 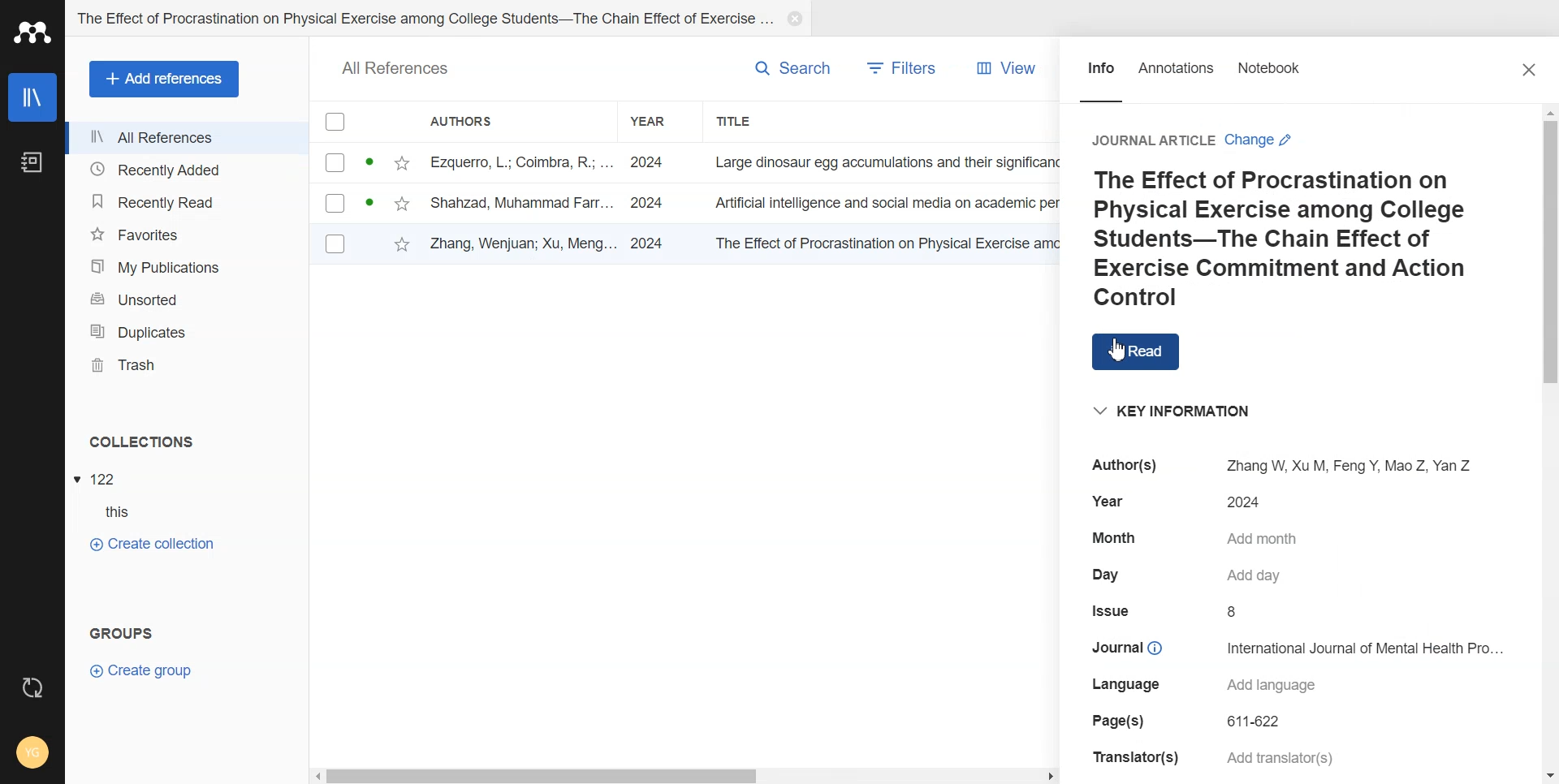 I want to click on Shahzad, Muhammad Farr..., so click(x=520, y=201).